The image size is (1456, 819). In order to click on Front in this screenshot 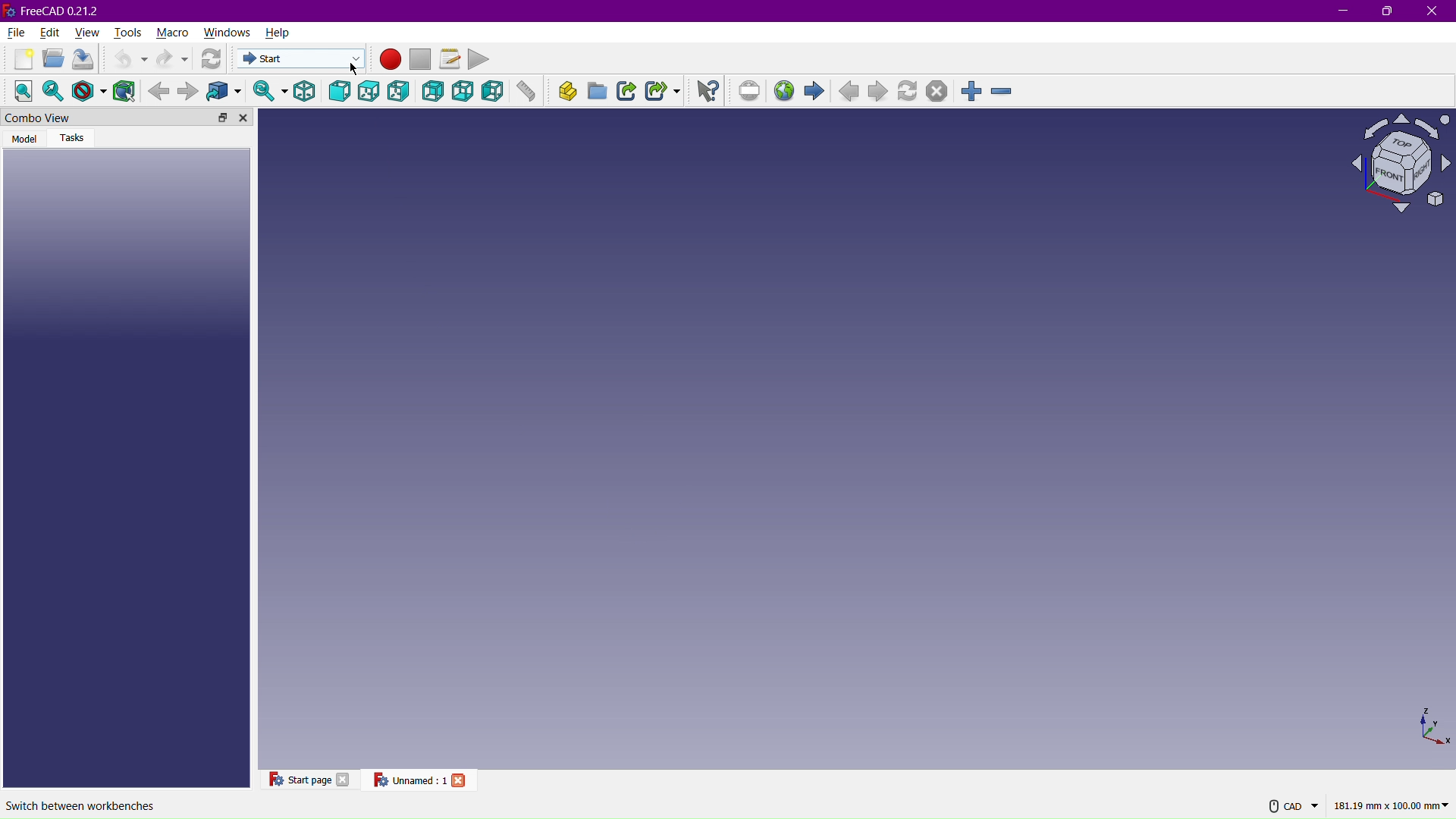, I will do `click(340, 89)`.